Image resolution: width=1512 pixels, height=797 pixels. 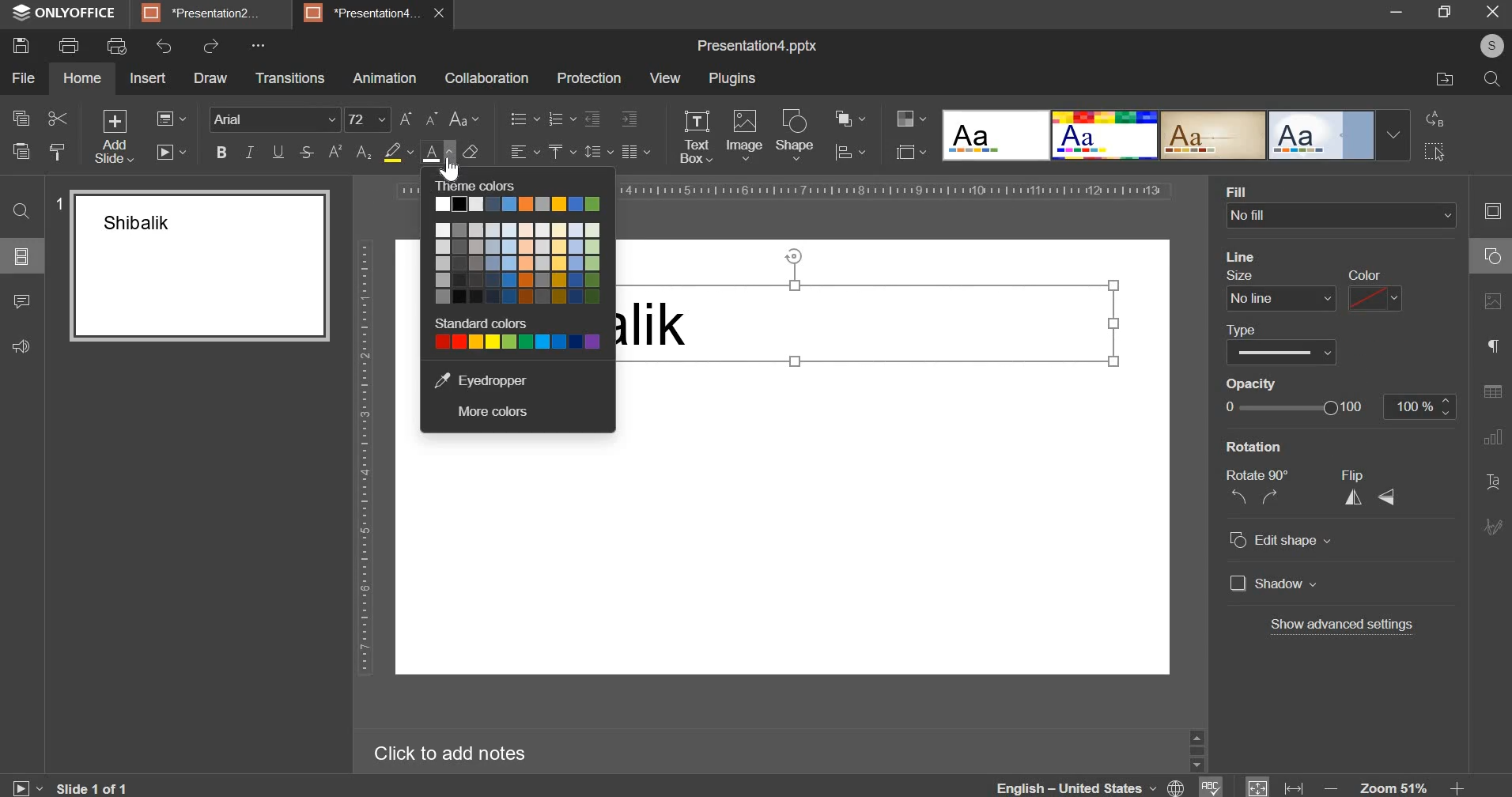 I want to click on vertical, so click(x=1355, y=499).